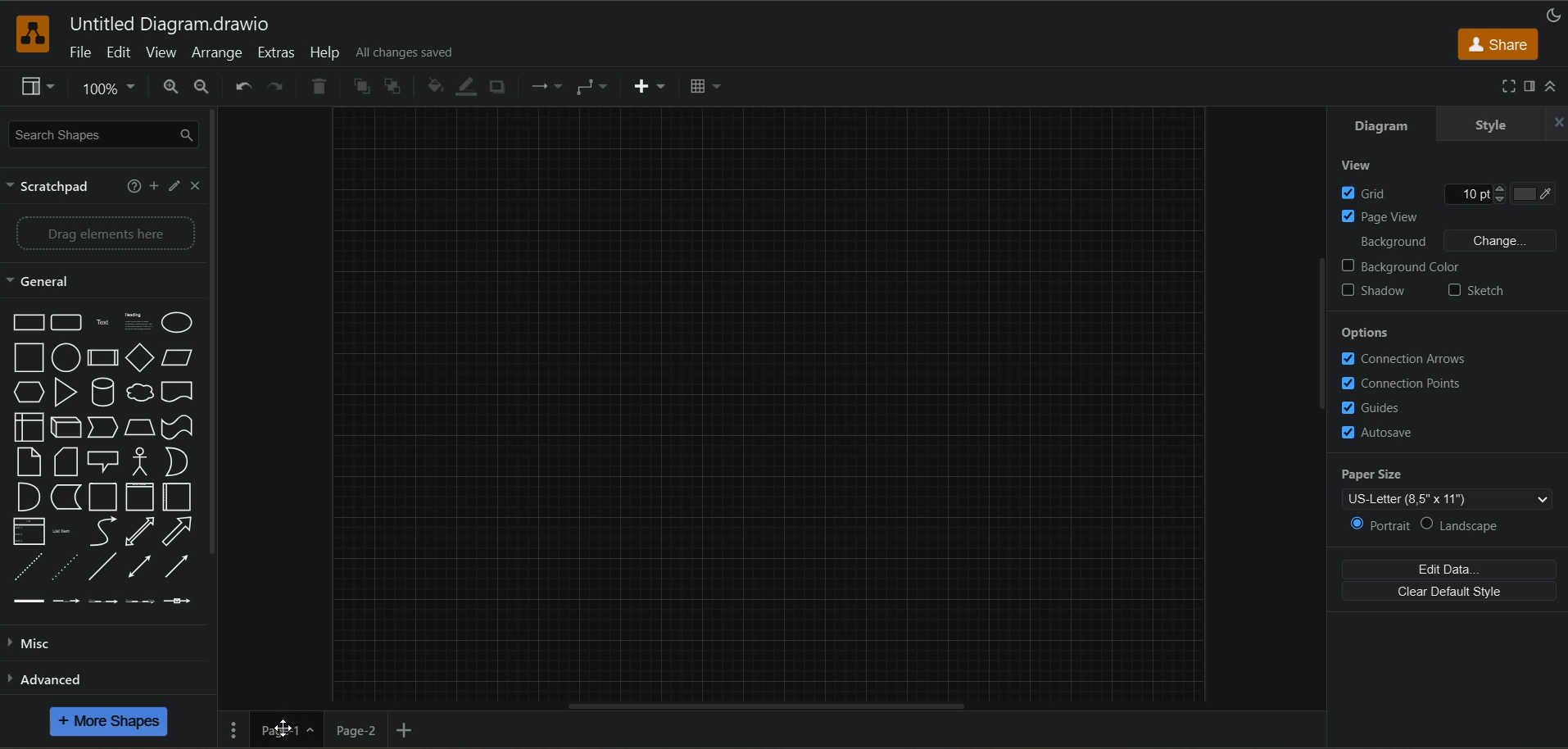  I want to click on paper size, so click(1452, 487).